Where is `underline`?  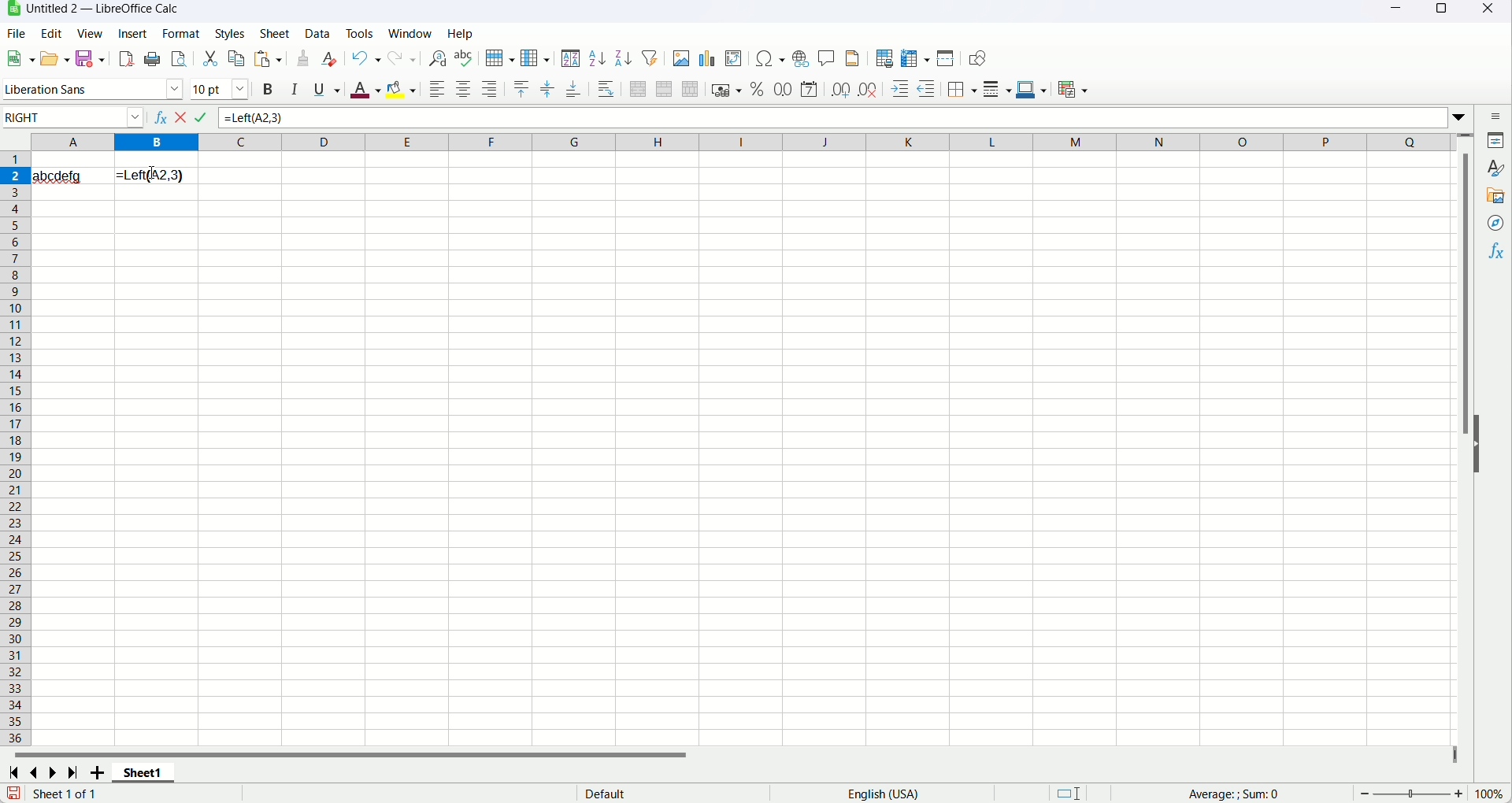
underline is located at coordinates (326, 92).